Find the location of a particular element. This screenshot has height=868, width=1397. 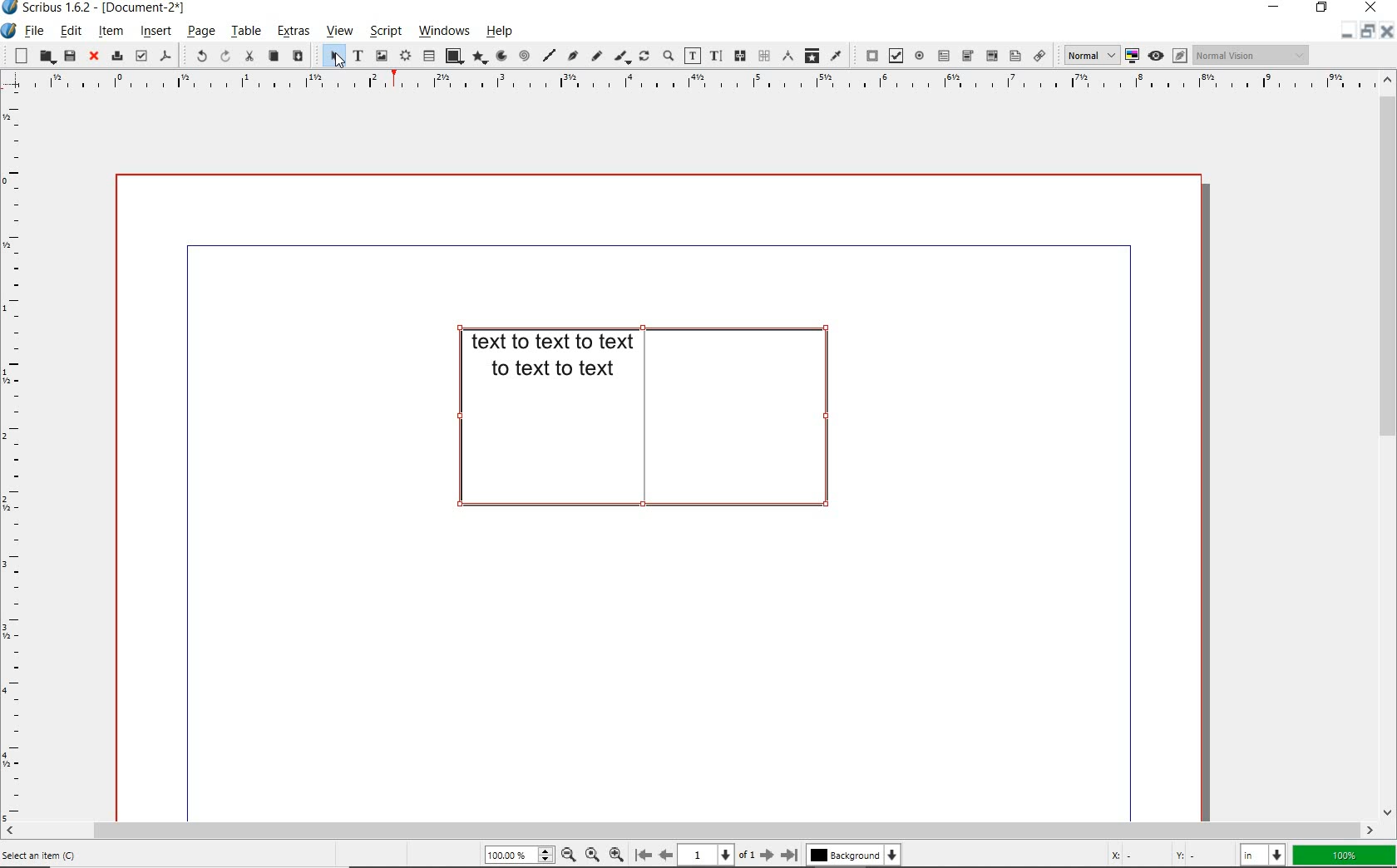

eye dropper is located at coordinates (837, 56).